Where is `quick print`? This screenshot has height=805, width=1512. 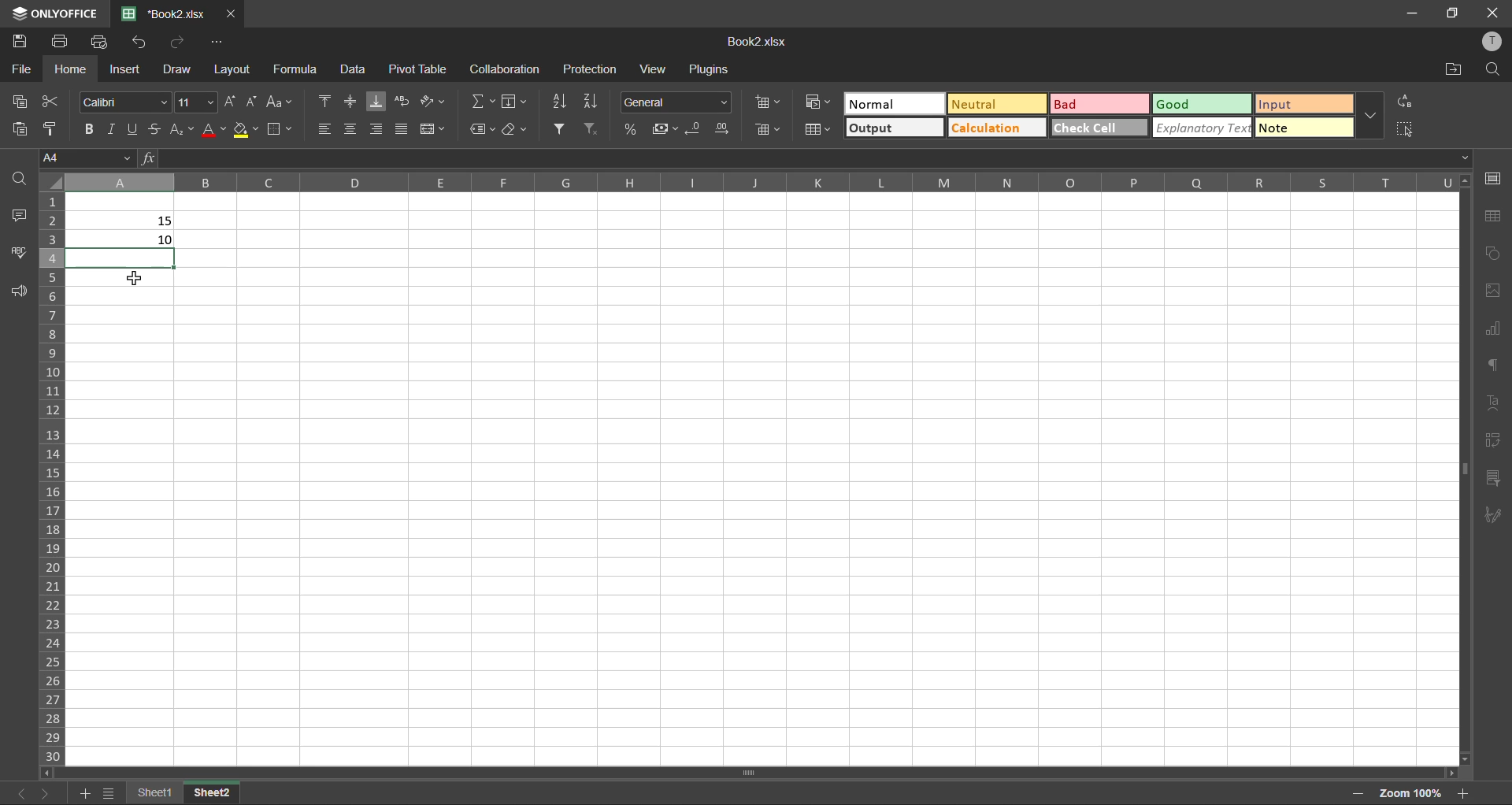 quick print is located at coordinates (102, 42).